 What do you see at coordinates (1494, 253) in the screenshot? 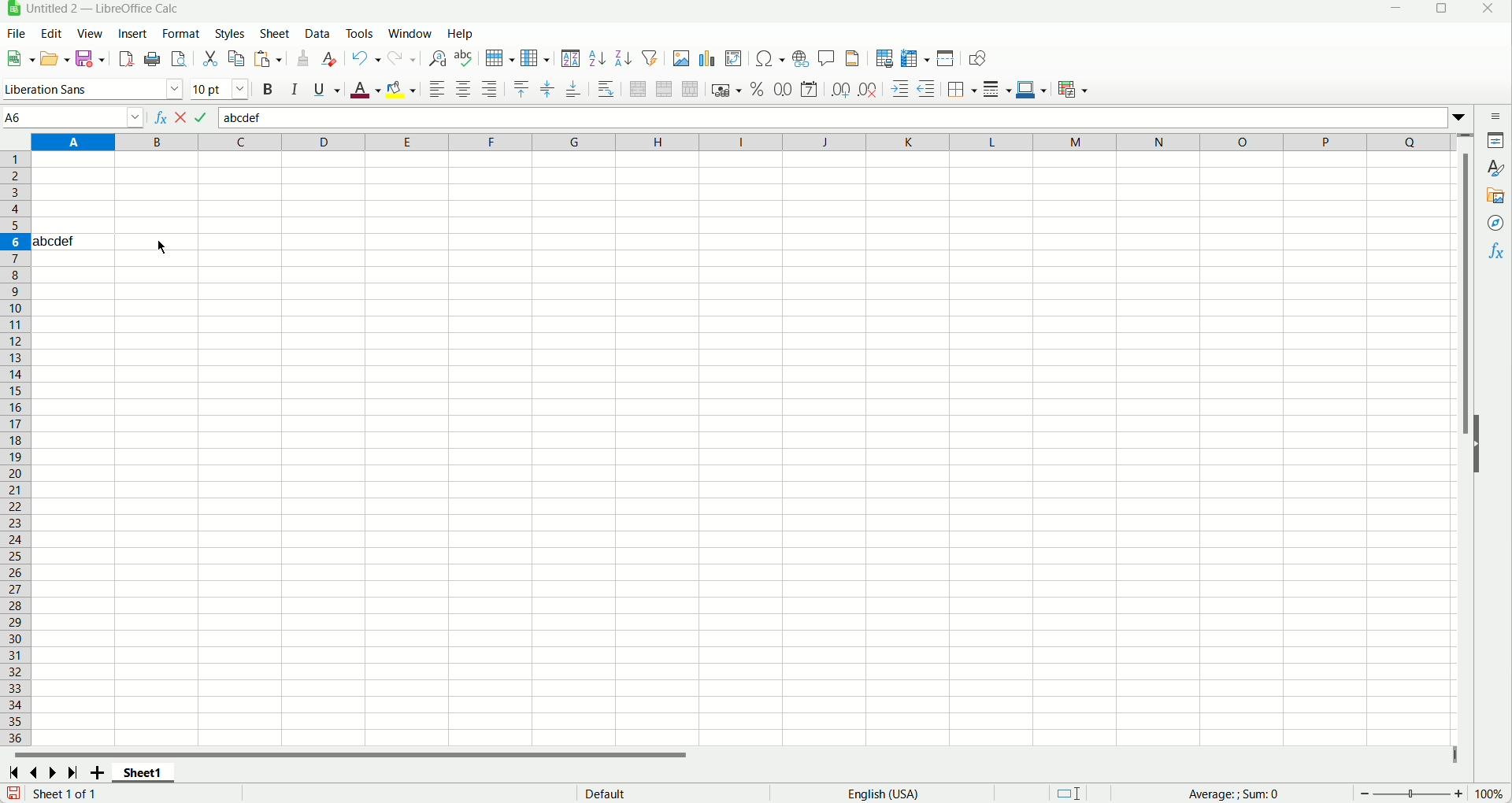
I see `functions` at bounding box center [1494, 253].